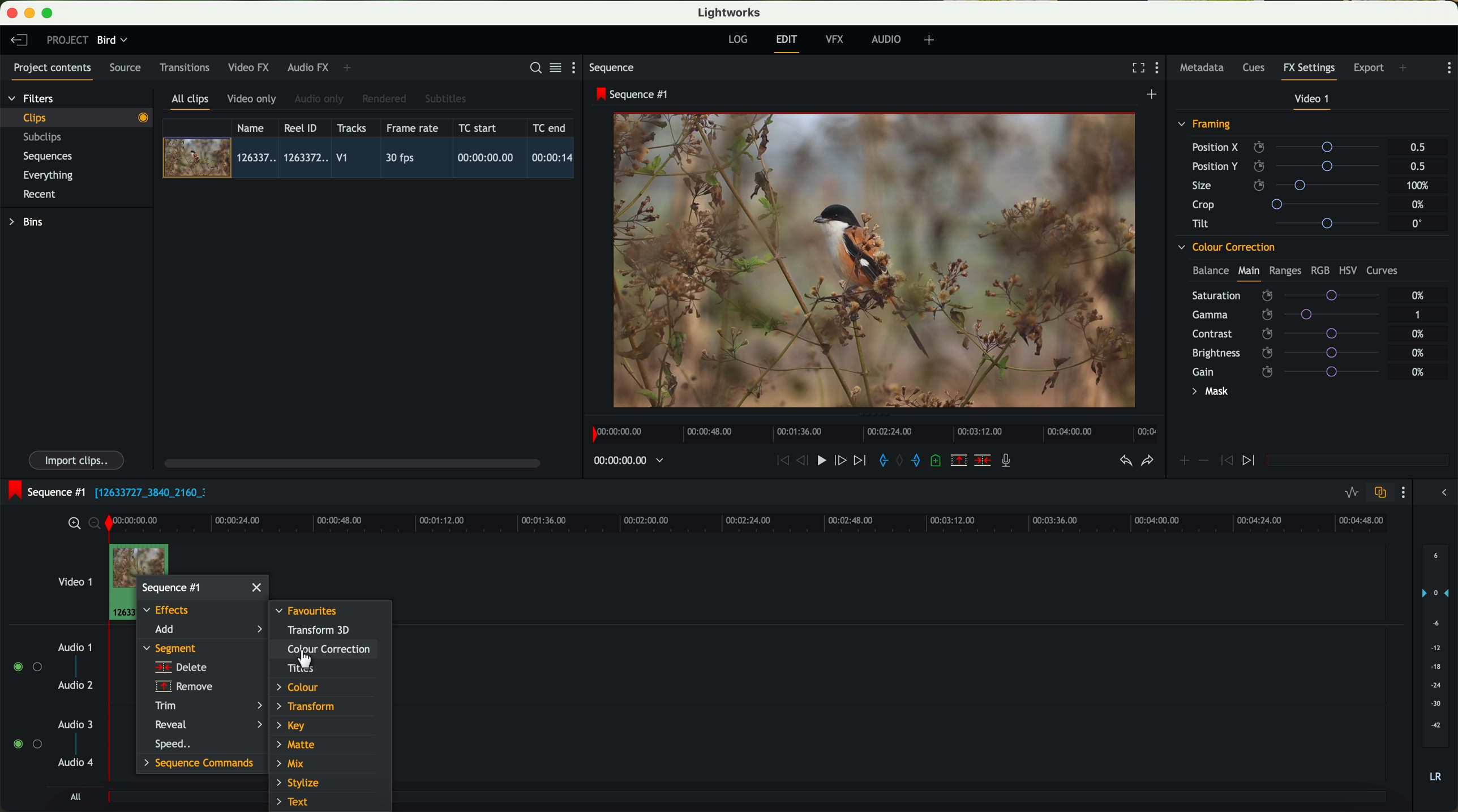  What do you see at coordinates (385, 100) in the screenshot?
I see `rendered` at bounding box center [385, 100].